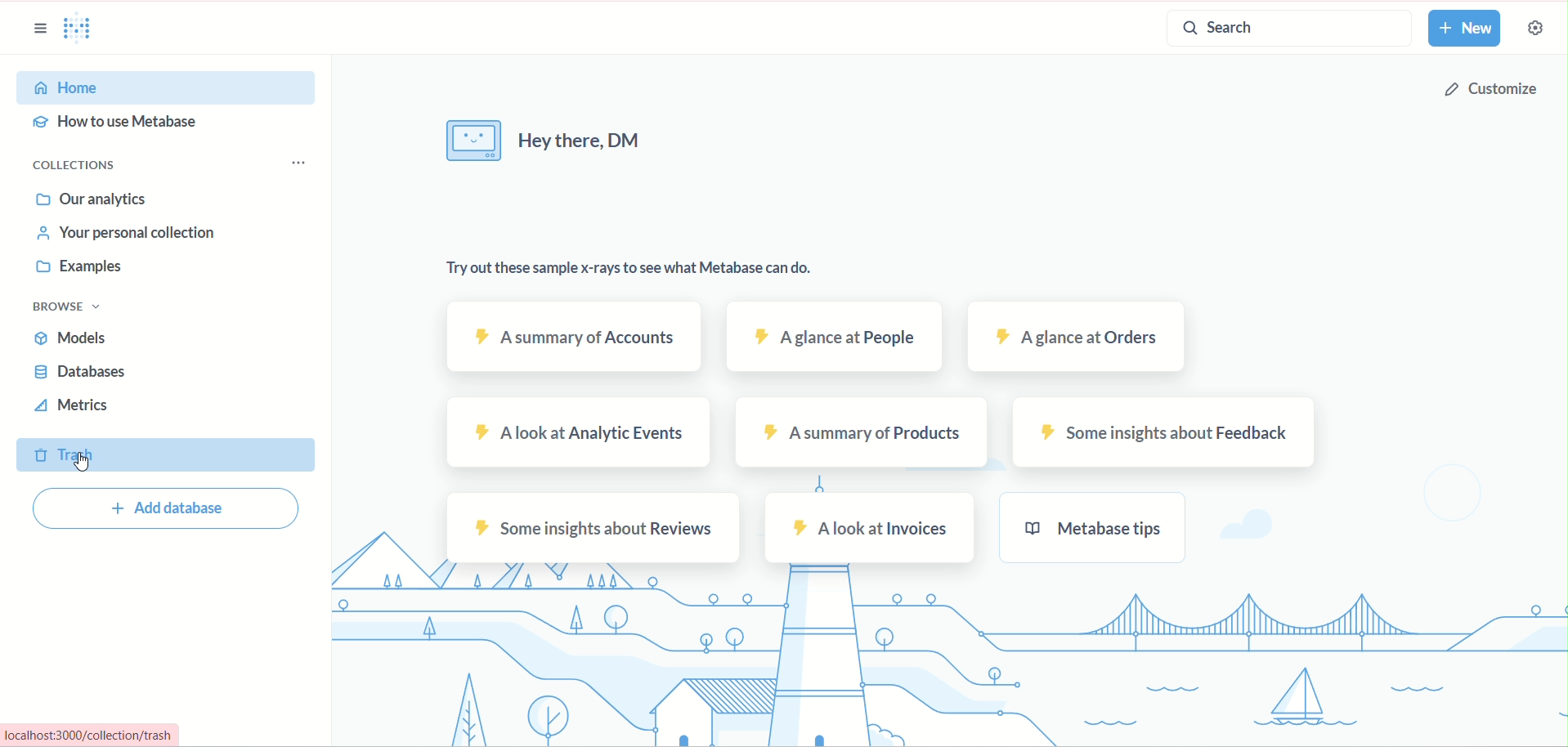  Describe the element at coordinates (175, 509) in the screenshot. I see `add database` at that location.